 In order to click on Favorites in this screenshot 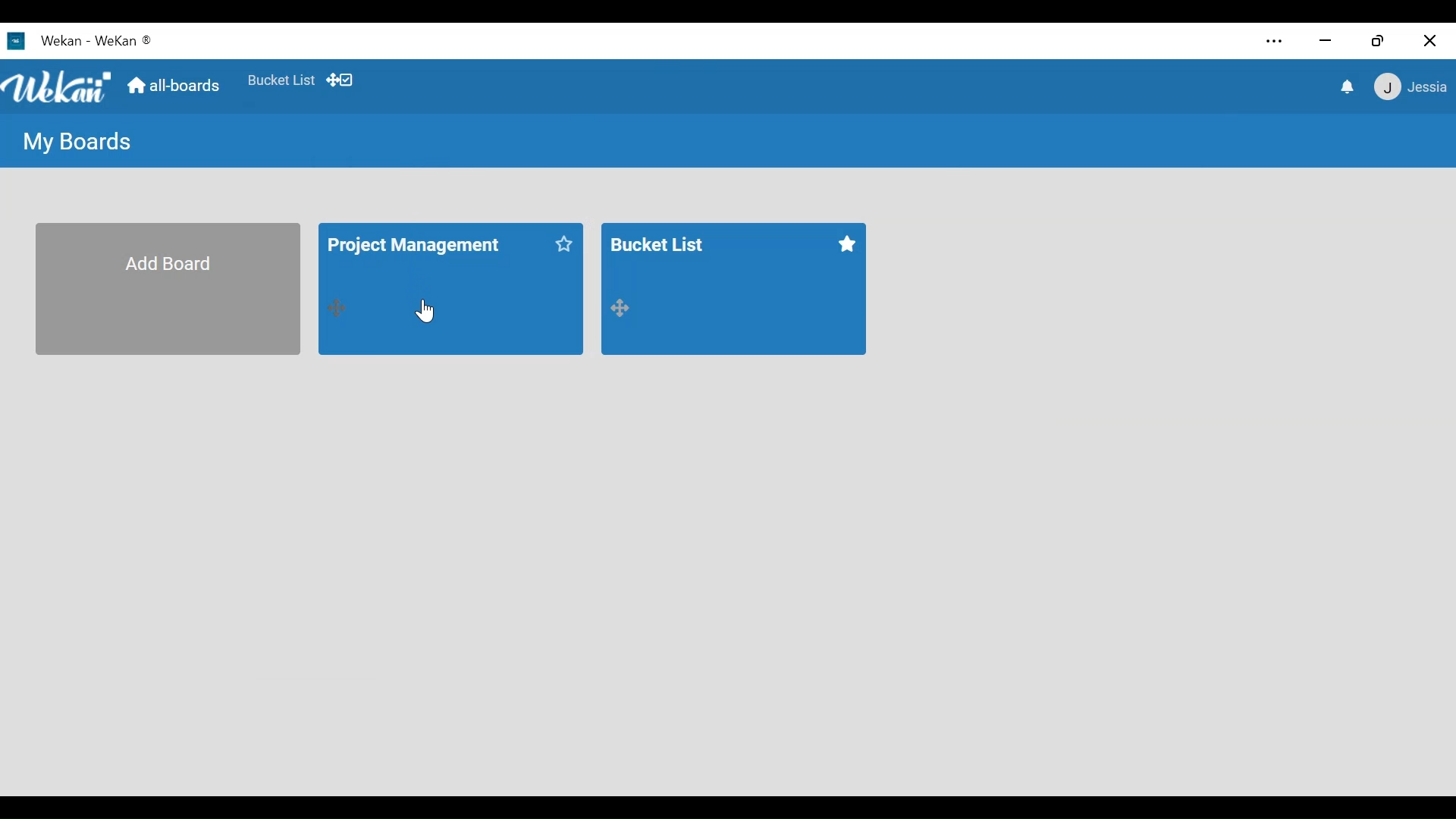, I will do `click(284, 80)`.